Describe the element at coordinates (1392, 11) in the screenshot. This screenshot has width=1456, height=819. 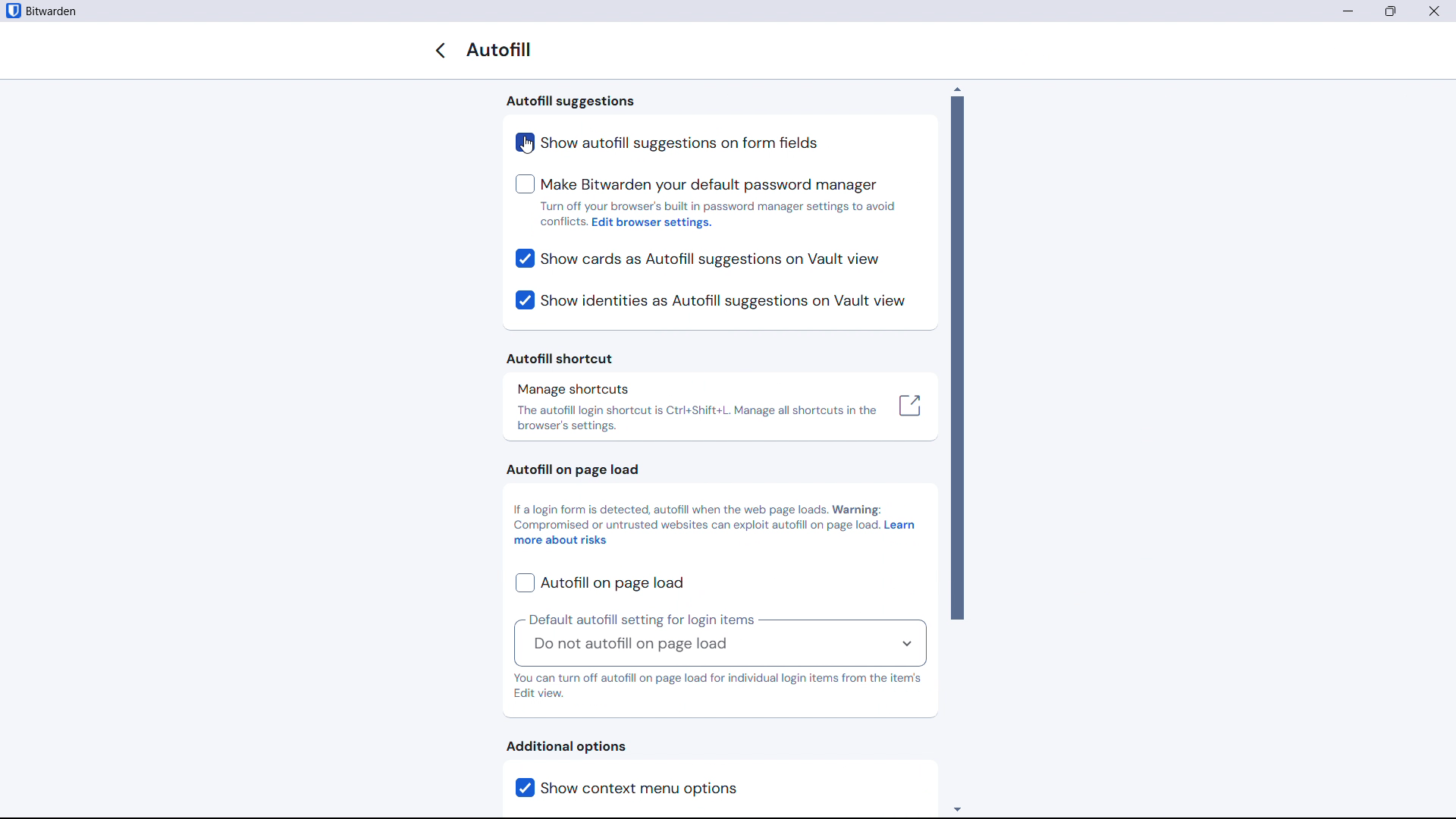
I see `Maximise ` at that location.